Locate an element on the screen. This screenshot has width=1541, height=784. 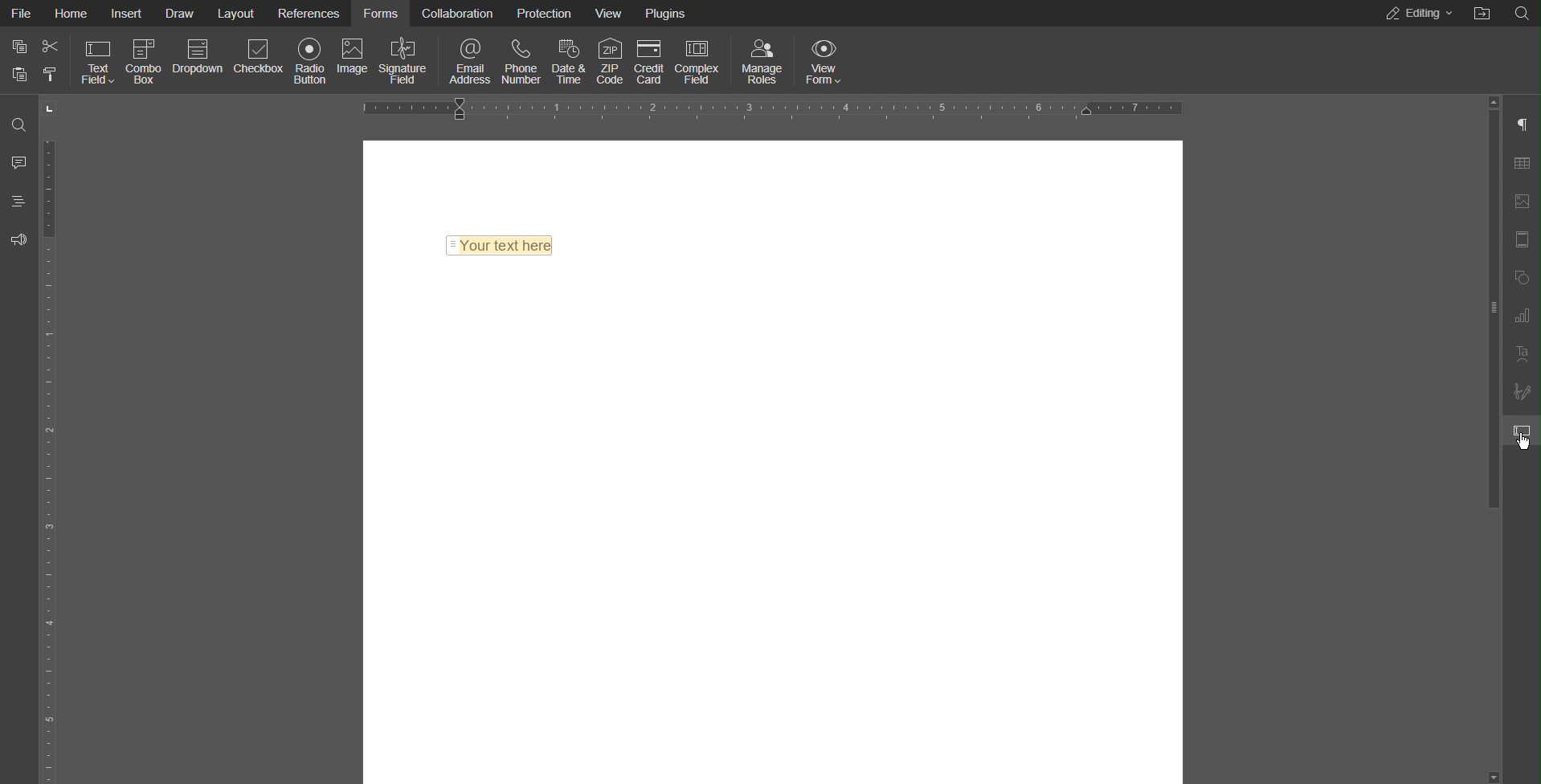
Collaboration is located at coordinates (458, 12).